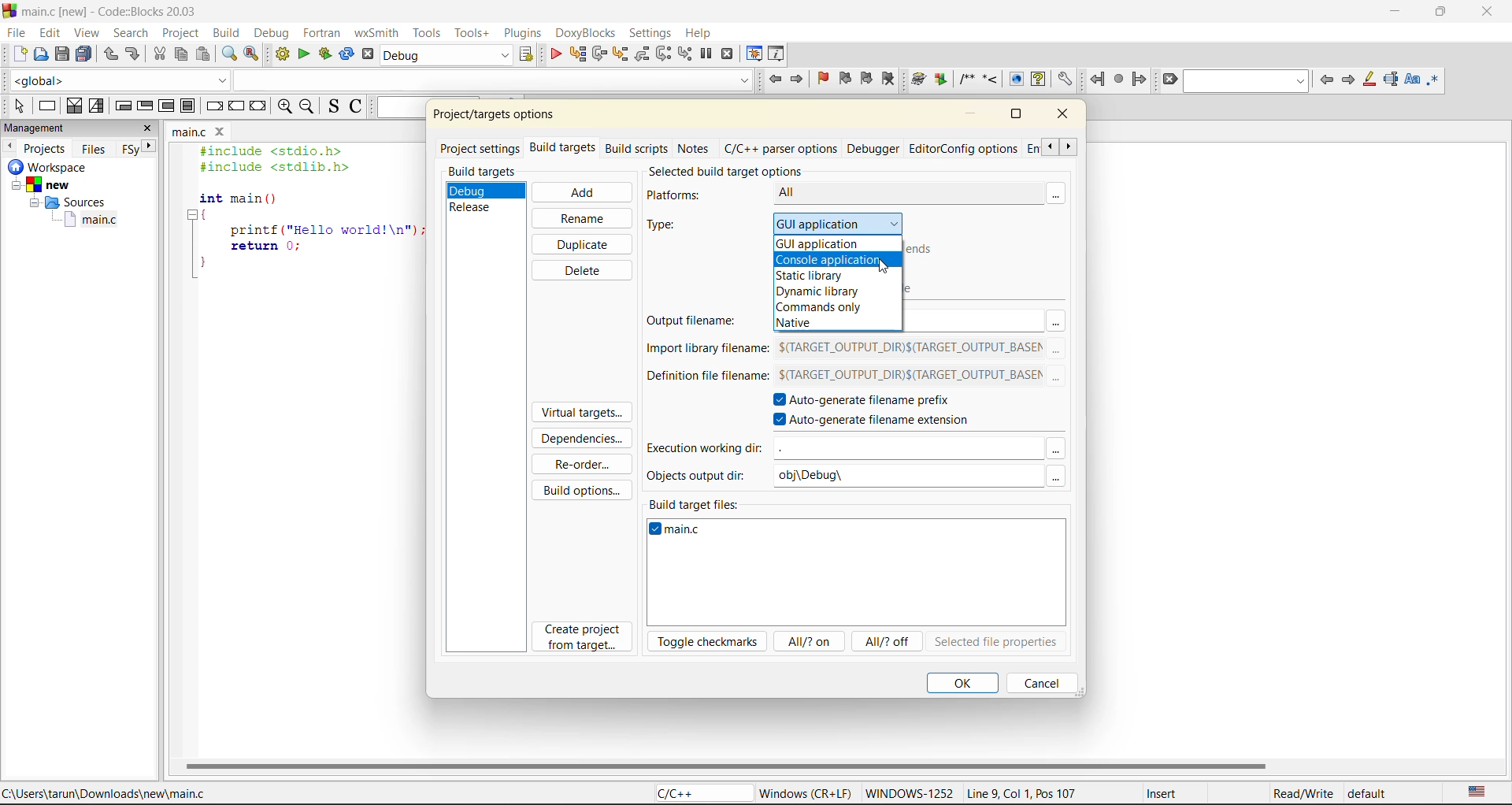 The width and height of the screenshot is (1512, 805). Describe the element at coordinates (50, 32) in the screenshot. I see `edit` at that location.